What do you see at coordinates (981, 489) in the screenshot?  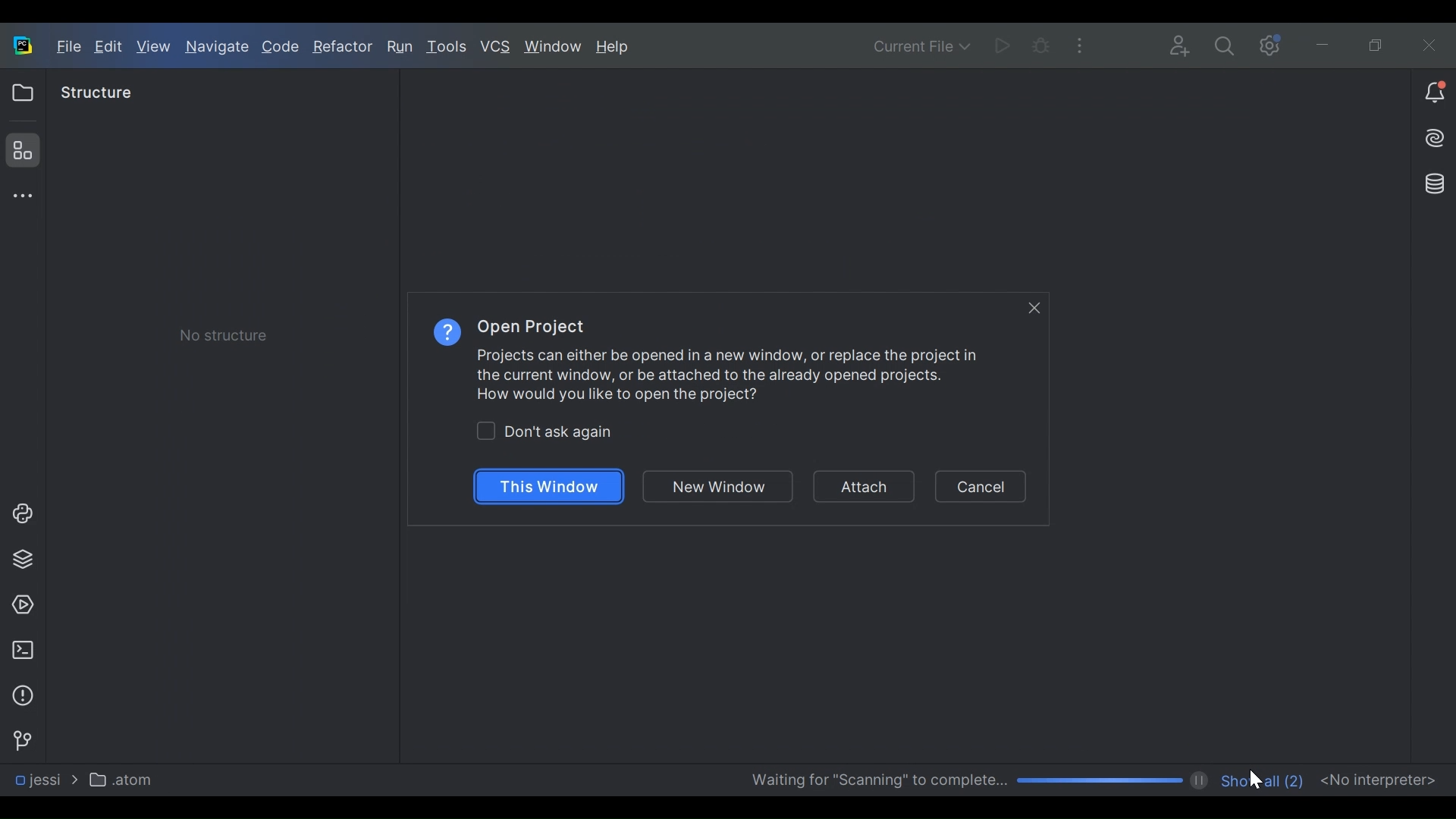 I see `Cancel ` at bounding box center [981, 489].